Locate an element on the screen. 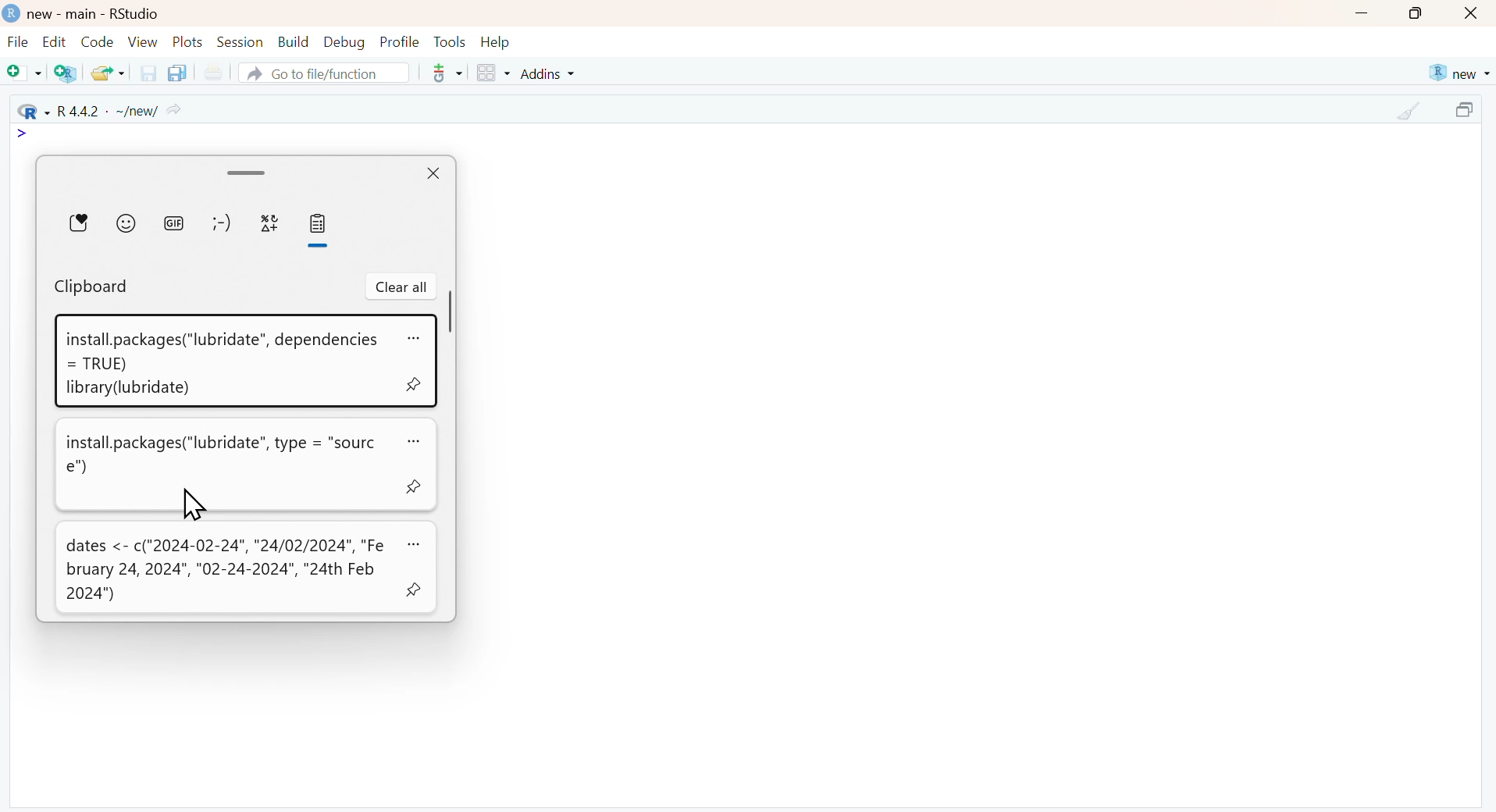 The height and width of the screenshot is (812, 1496). clipboard is located at coordinates (91, 287).